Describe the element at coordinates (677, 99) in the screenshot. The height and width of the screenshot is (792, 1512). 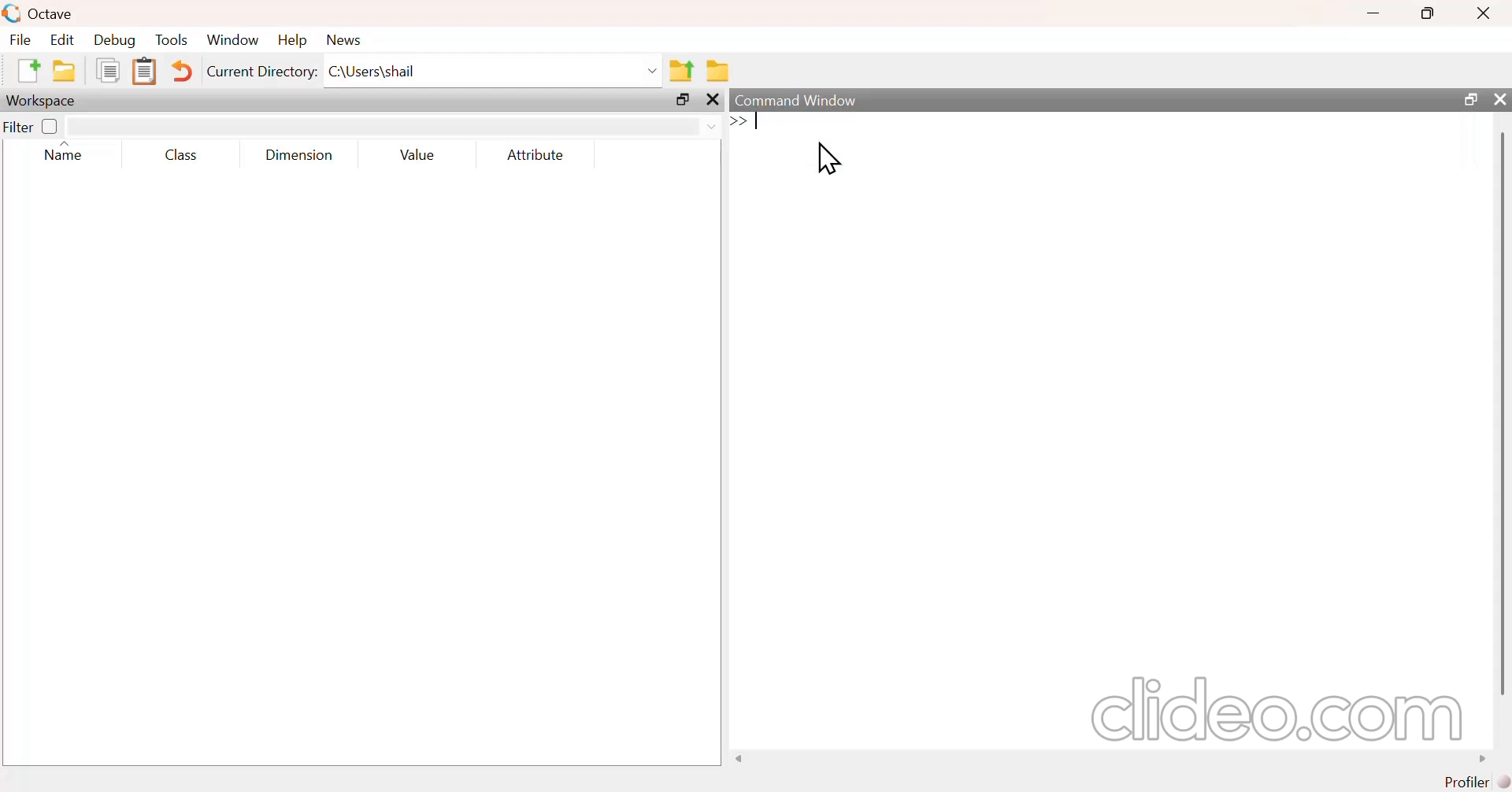
I see `maximize` at that location.